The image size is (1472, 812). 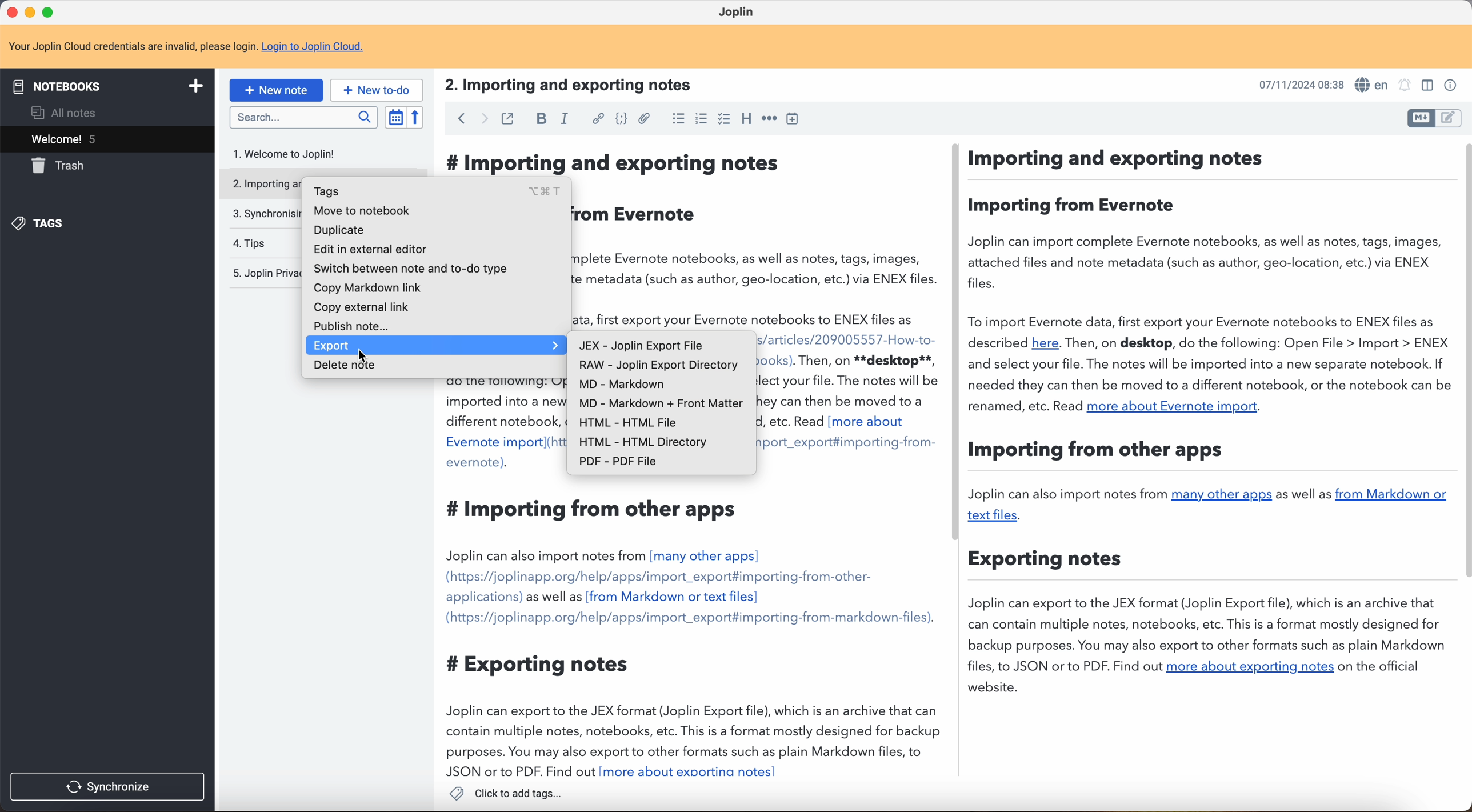 What do you see at coordinates (111, 85) in the screenshot?
I see `notebooks` at bounding box center [111, 85].